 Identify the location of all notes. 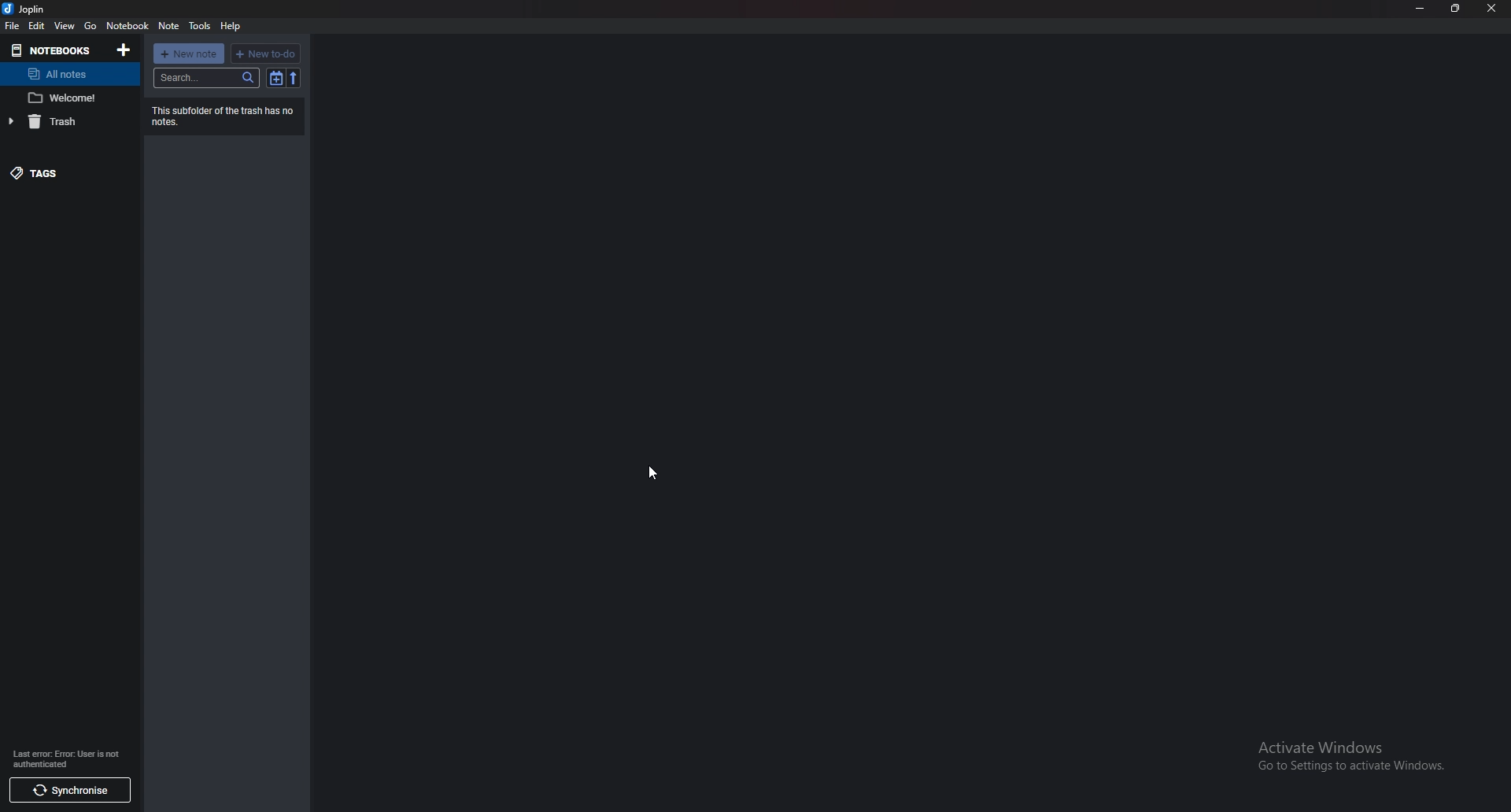
(65, 74).